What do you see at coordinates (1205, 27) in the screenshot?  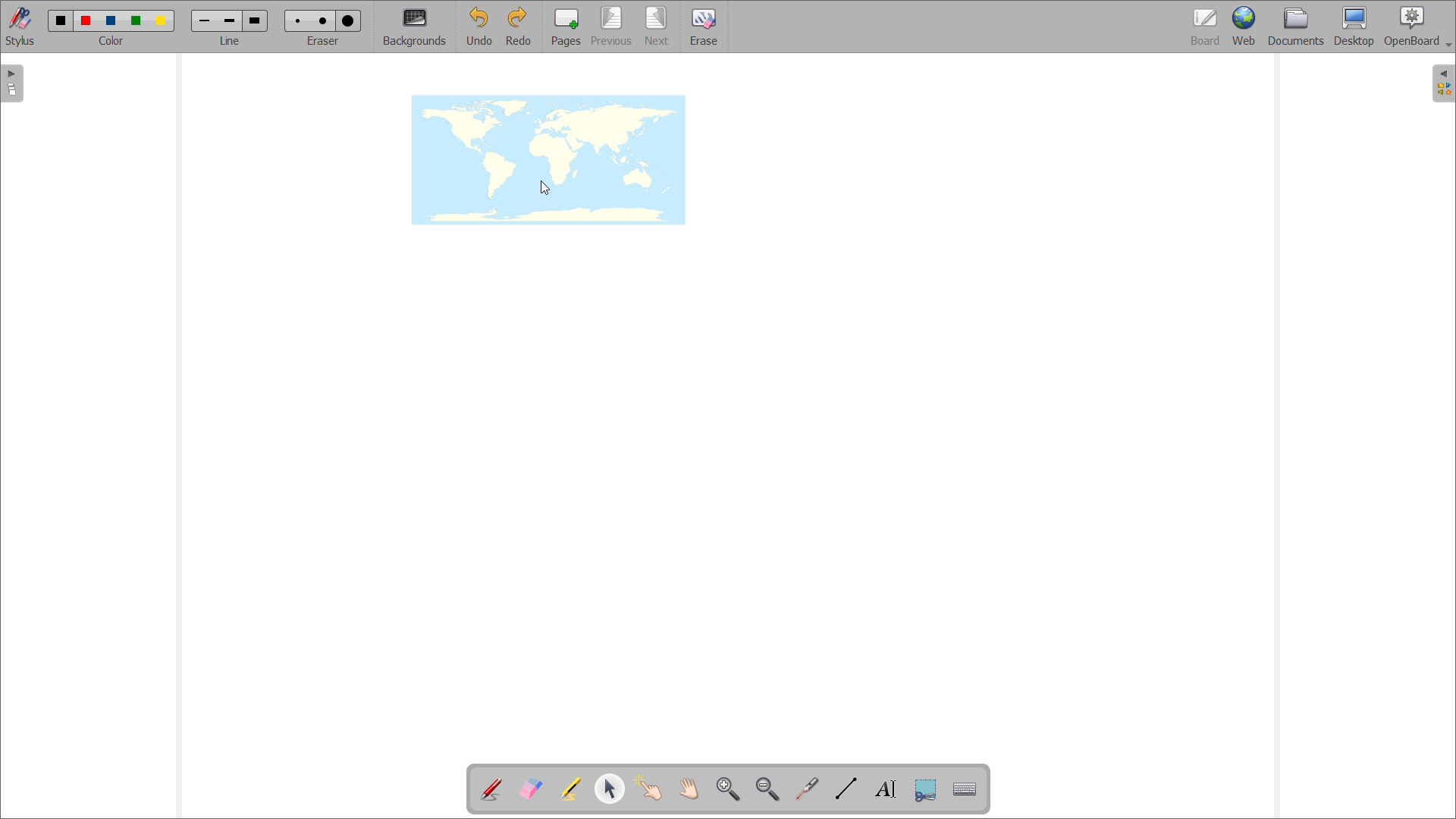 I see `board` at bounding box center [1205, 27].